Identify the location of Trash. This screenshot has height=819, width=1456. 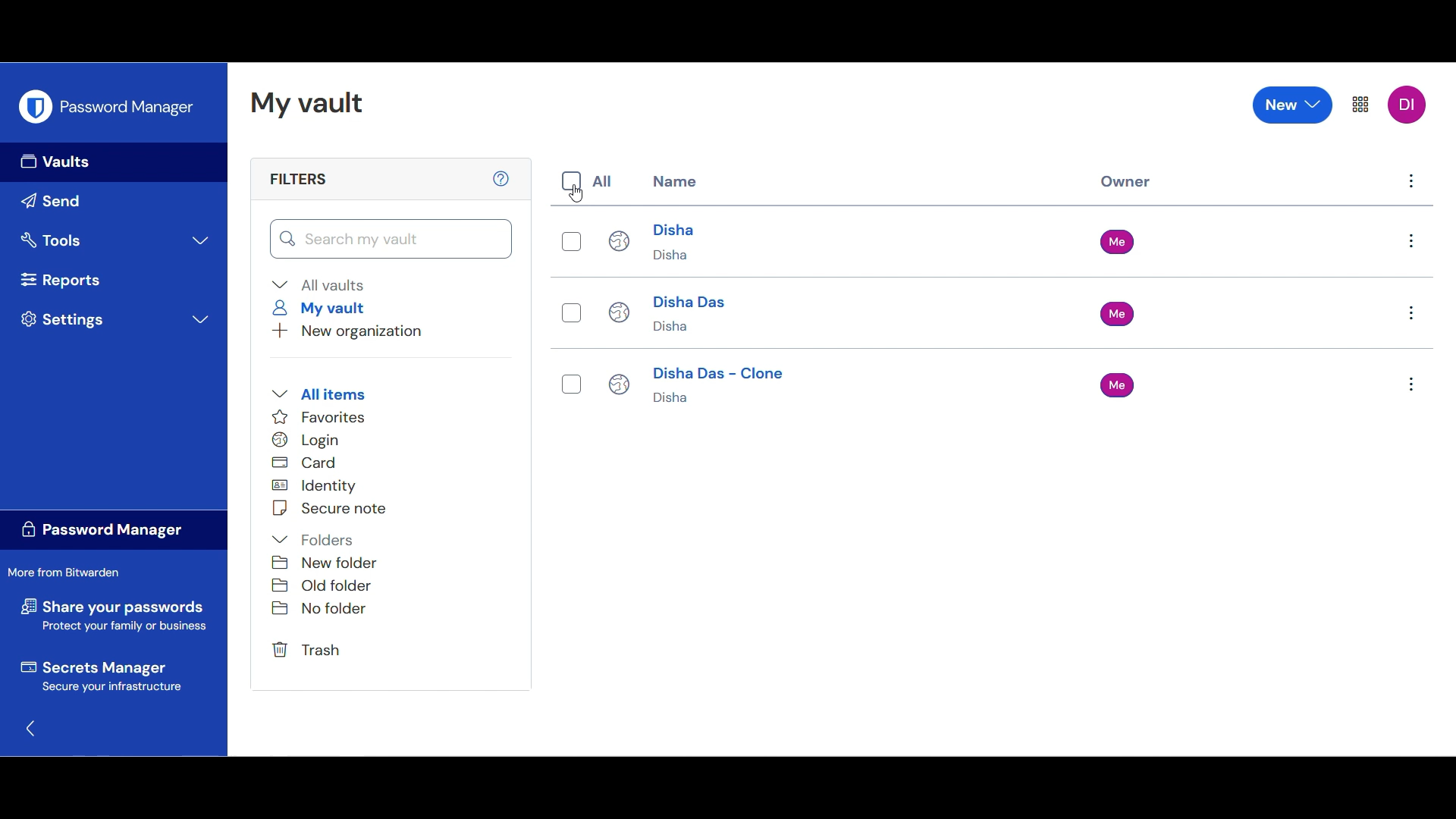
(309, 651).